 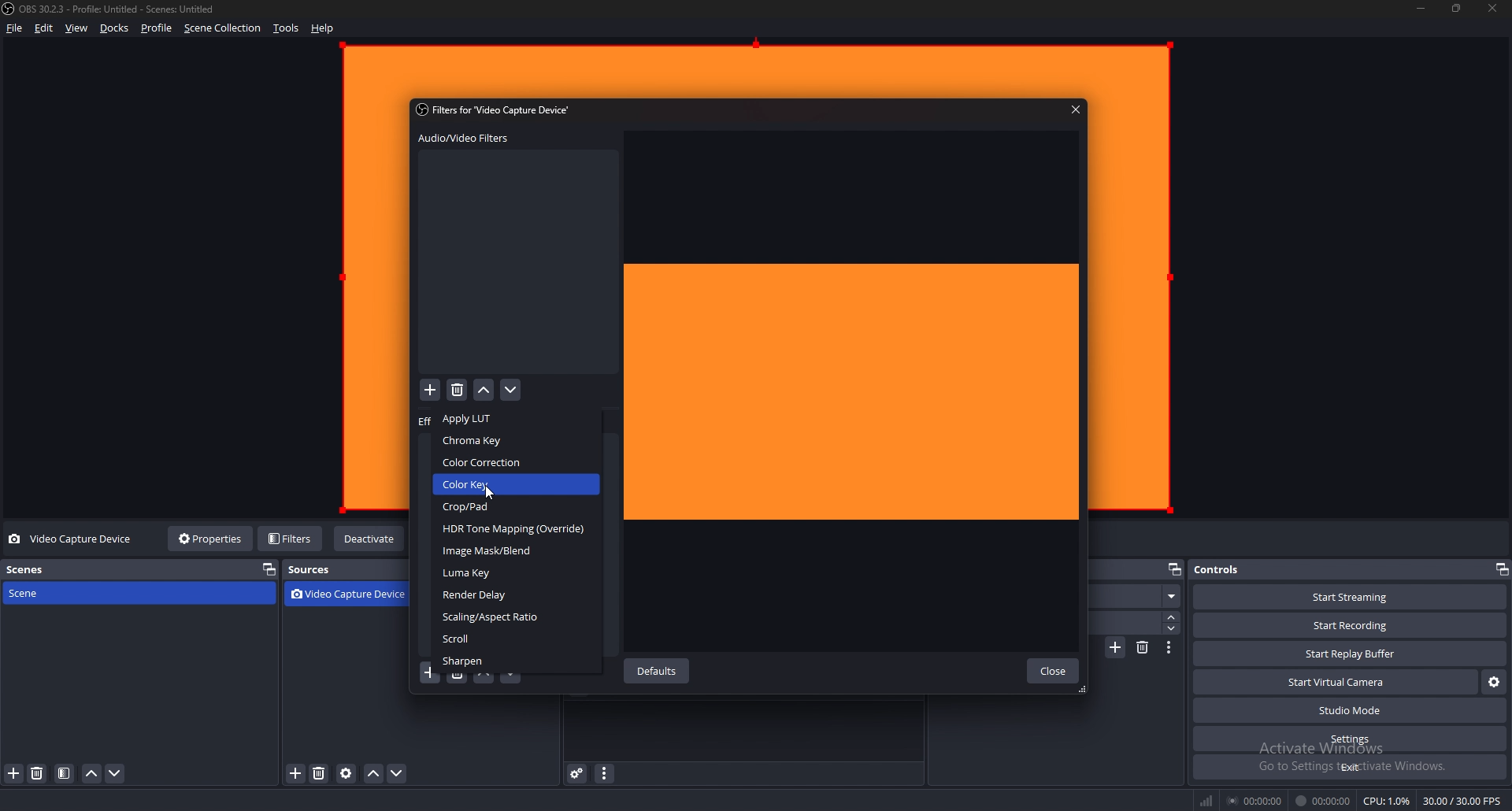 I want to click on remove source, so click(x=319, y=775).